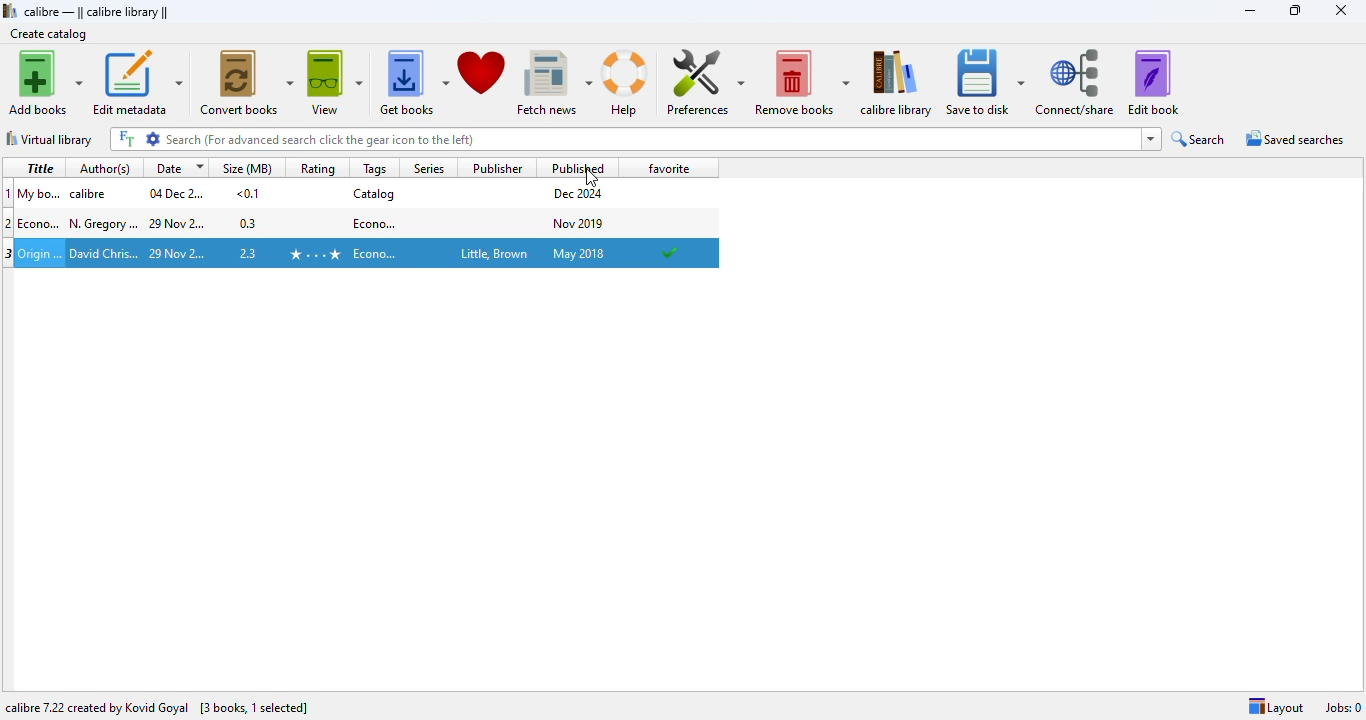 The image size is (1366, 720). What do you see at coordinates (413, 83) in the screenshot?
I see `get books` at bounding box center [413, 83].